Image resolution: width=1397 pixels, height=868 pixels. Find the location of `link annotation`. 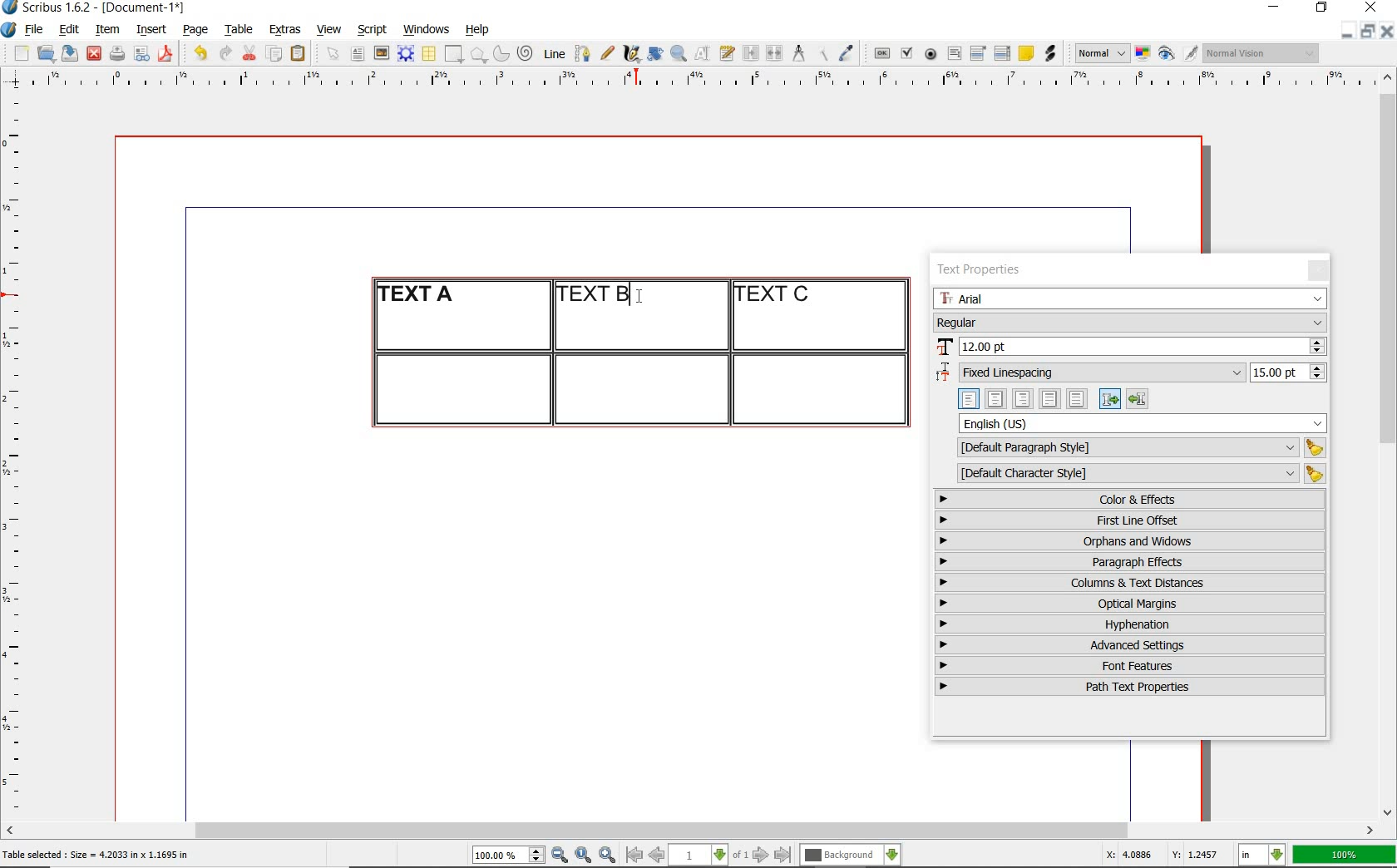

link annotation is located at coordinates (1052, 53).